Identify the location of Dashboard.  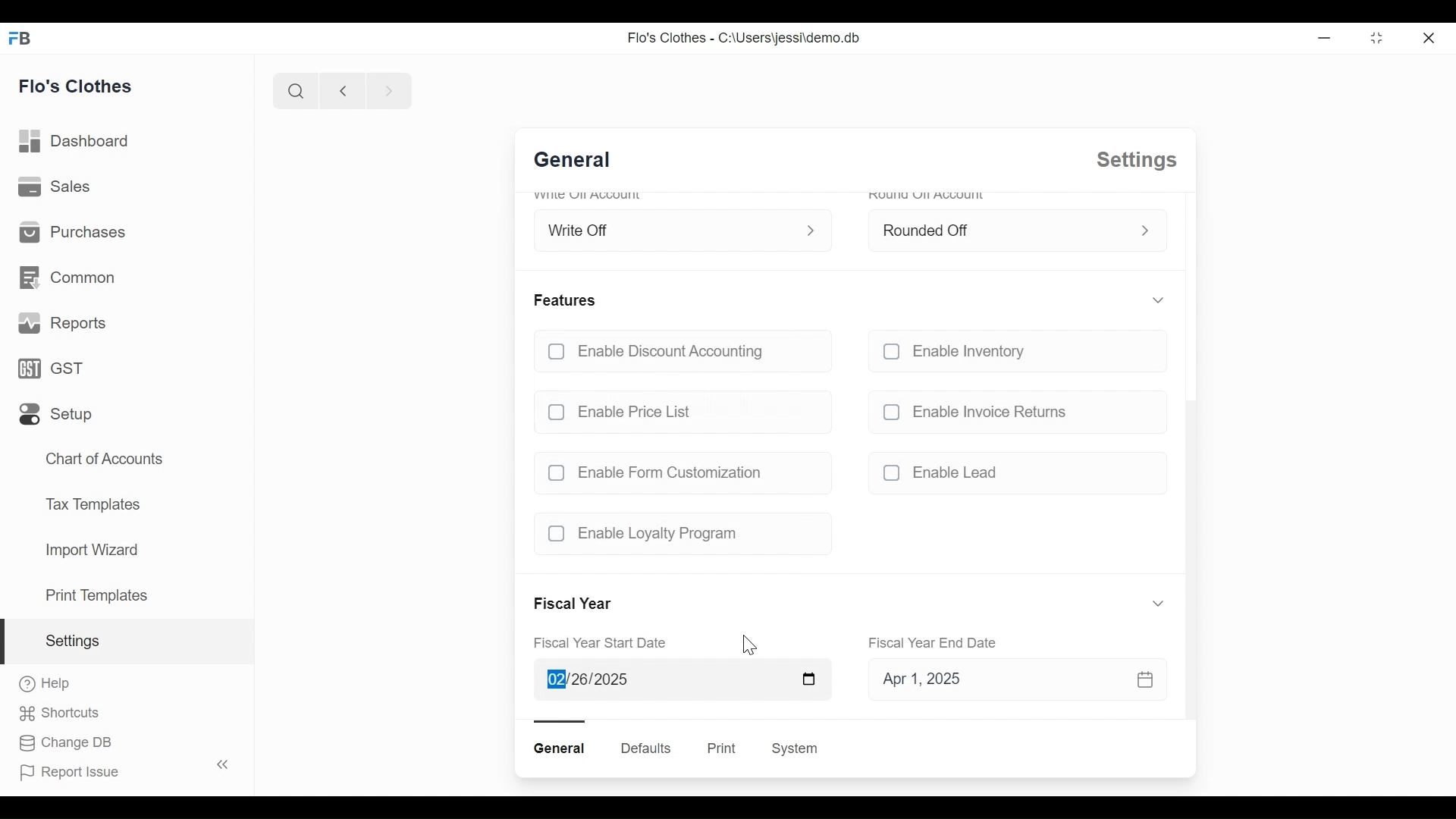
(74, 142).